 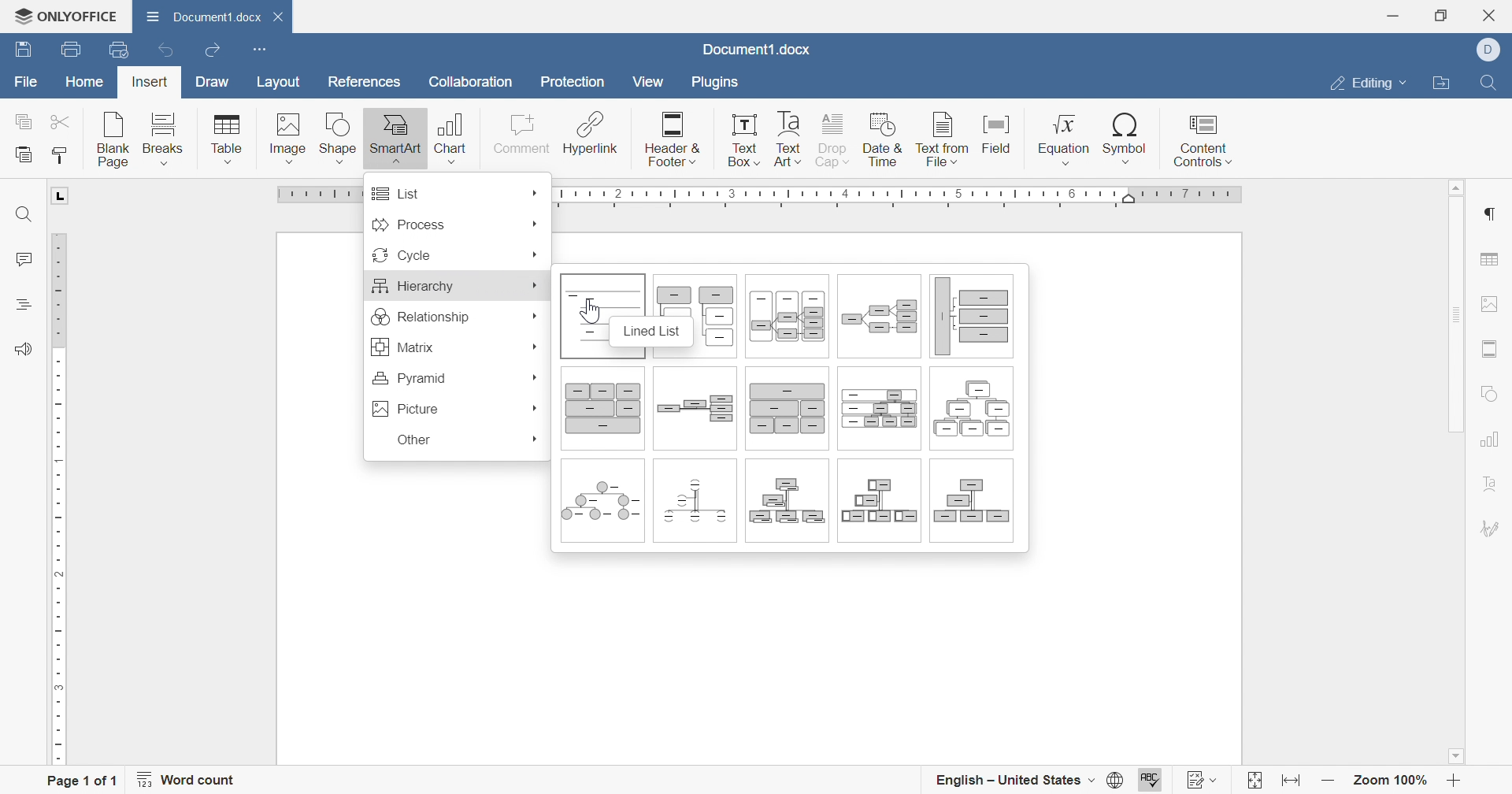 I want to click on Plugins, so click(x=717, y=84).